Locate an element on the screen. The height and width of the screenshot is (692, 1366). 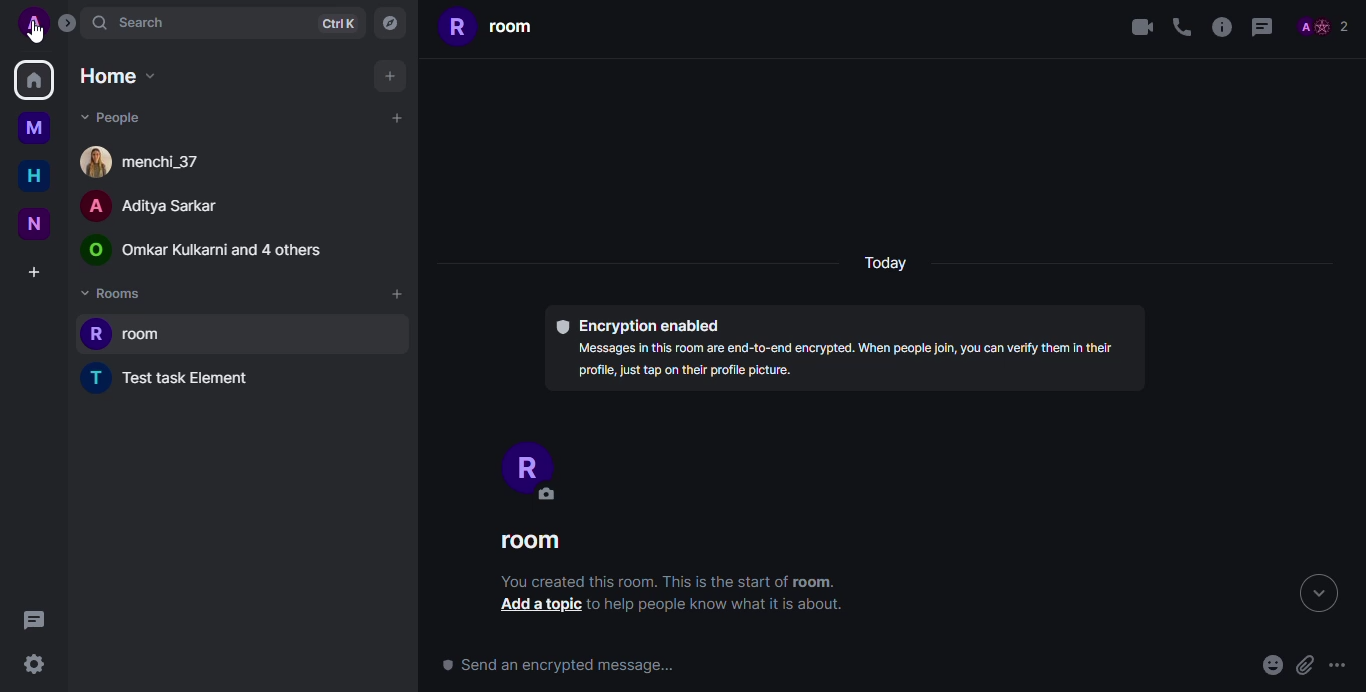
emoj is located at coordinates (1271, 666).